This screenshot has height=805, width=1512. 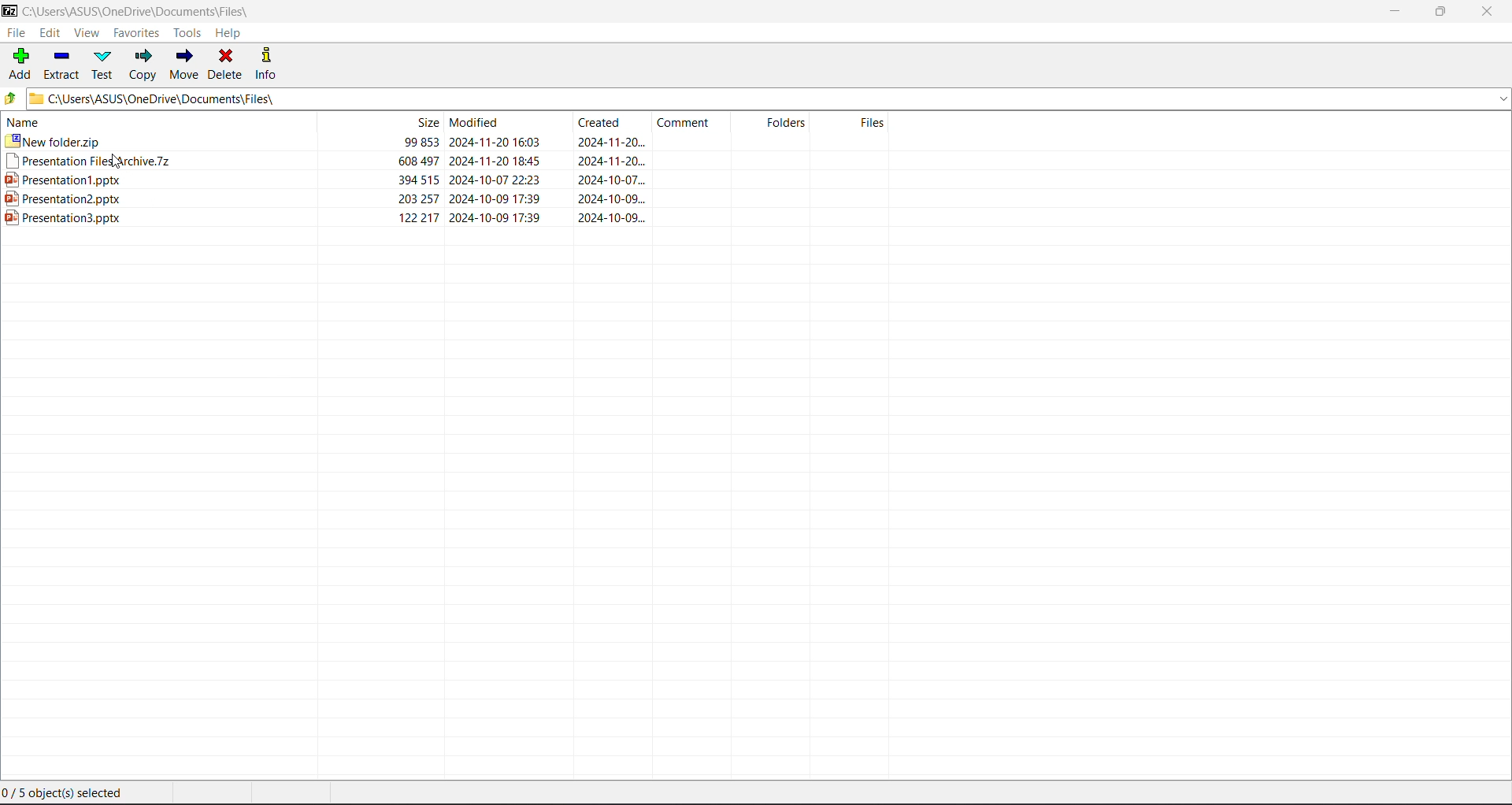 I want to click on  Presentation2.pptx 203 257 2024-10-09 17:39 2024-10-09., so click(x=324, y=200).